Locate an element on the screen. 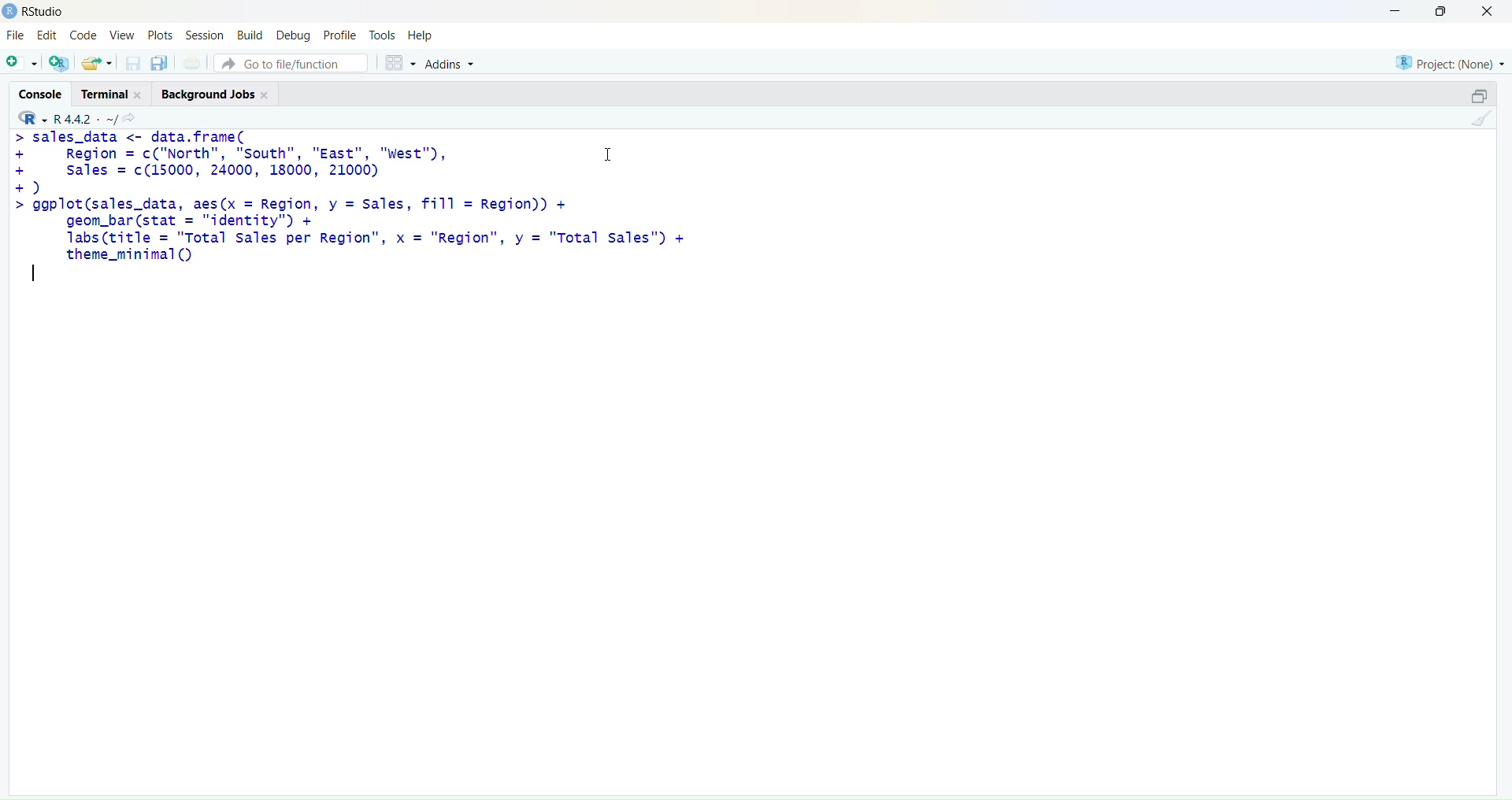 The height and width of the screenshot is (800, 1512). Session is located at coordinates (202, 35).